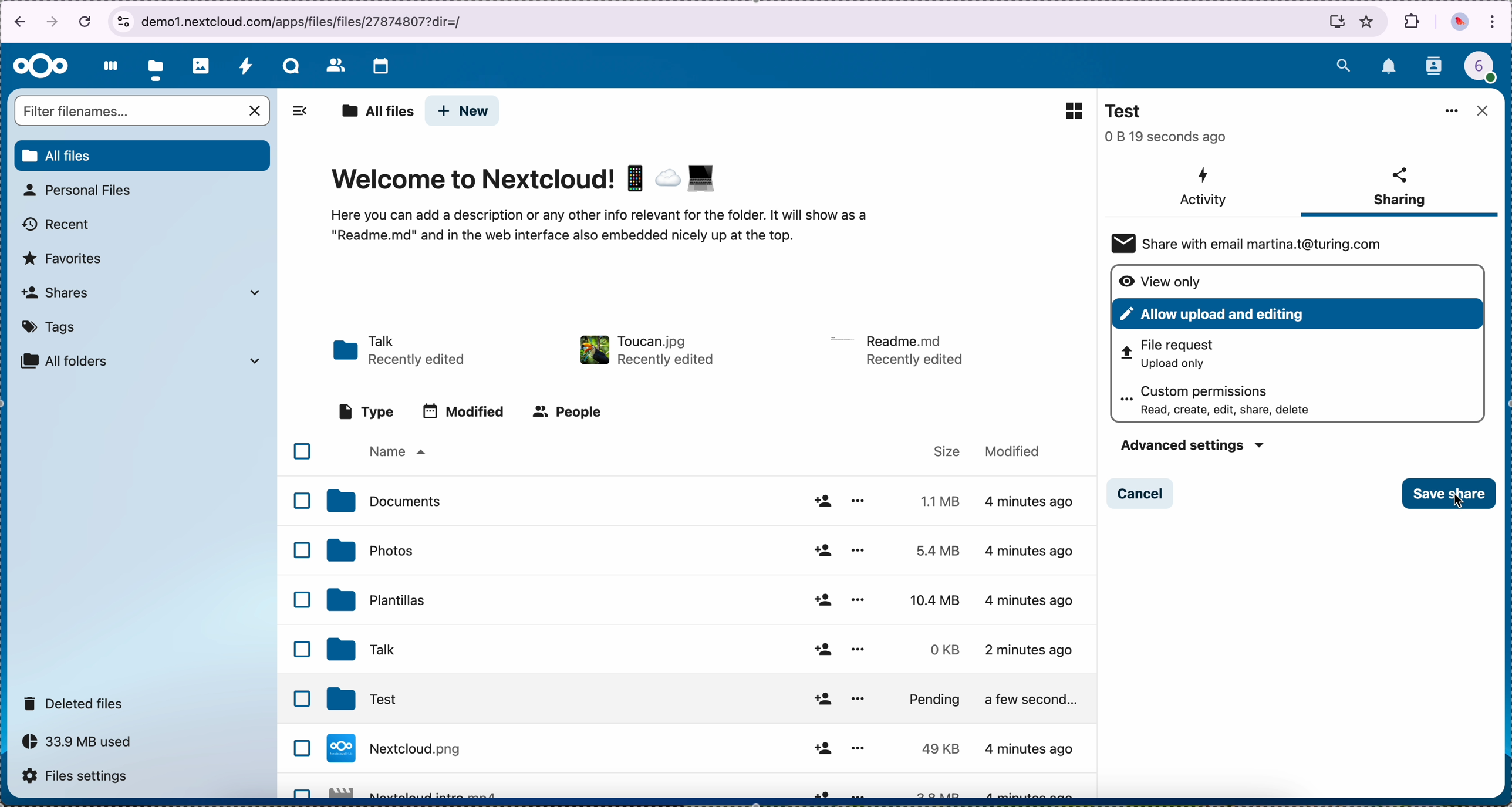  What do you see at coordinates (396, 453) in the screenshot?
I see `name` at bounding box center [396, 453].